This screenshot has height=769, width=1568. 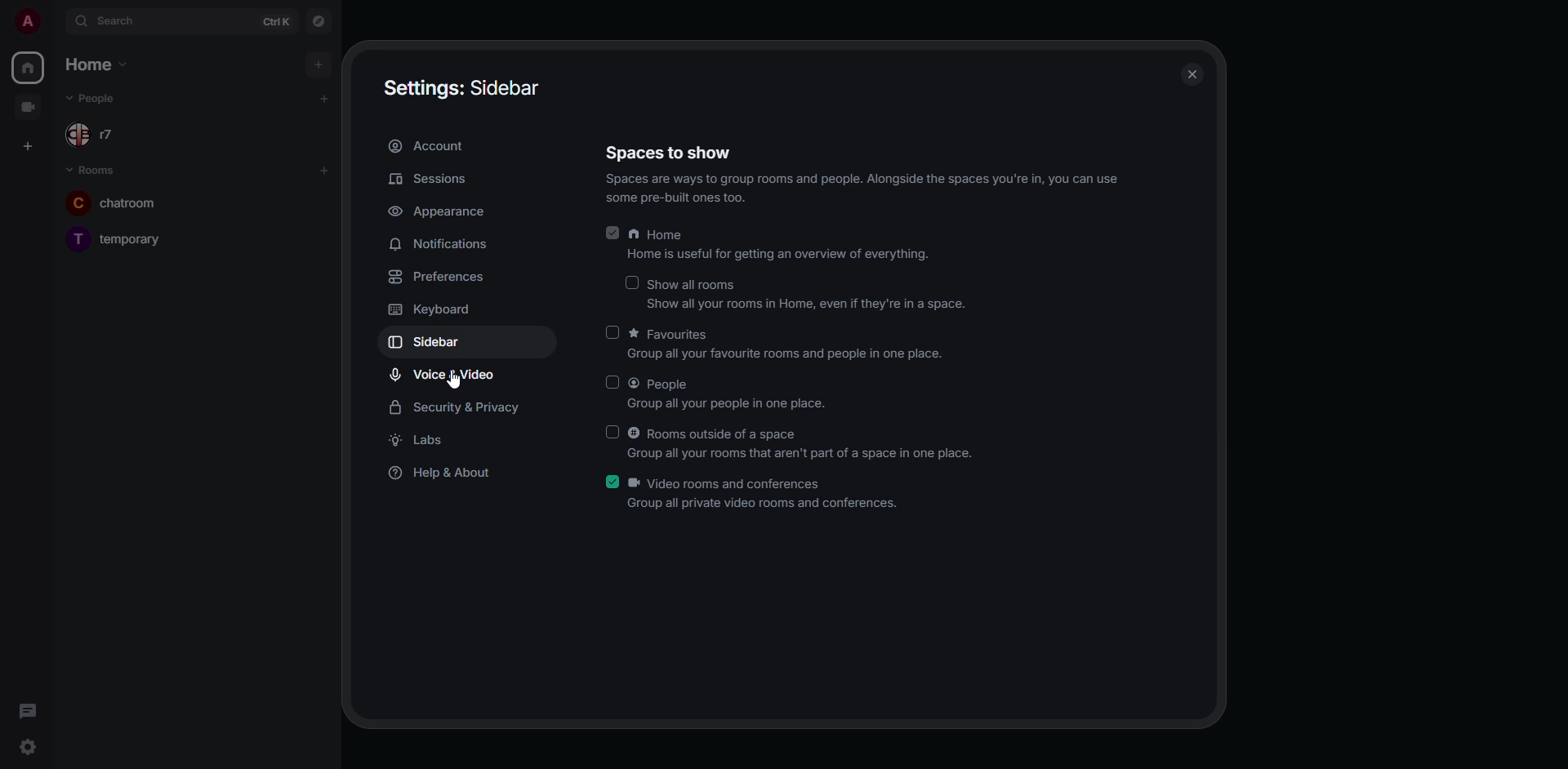 What do you see at coordinates (780, 246) in the screenshot?
I see `home` at bounding box center [780, 246].